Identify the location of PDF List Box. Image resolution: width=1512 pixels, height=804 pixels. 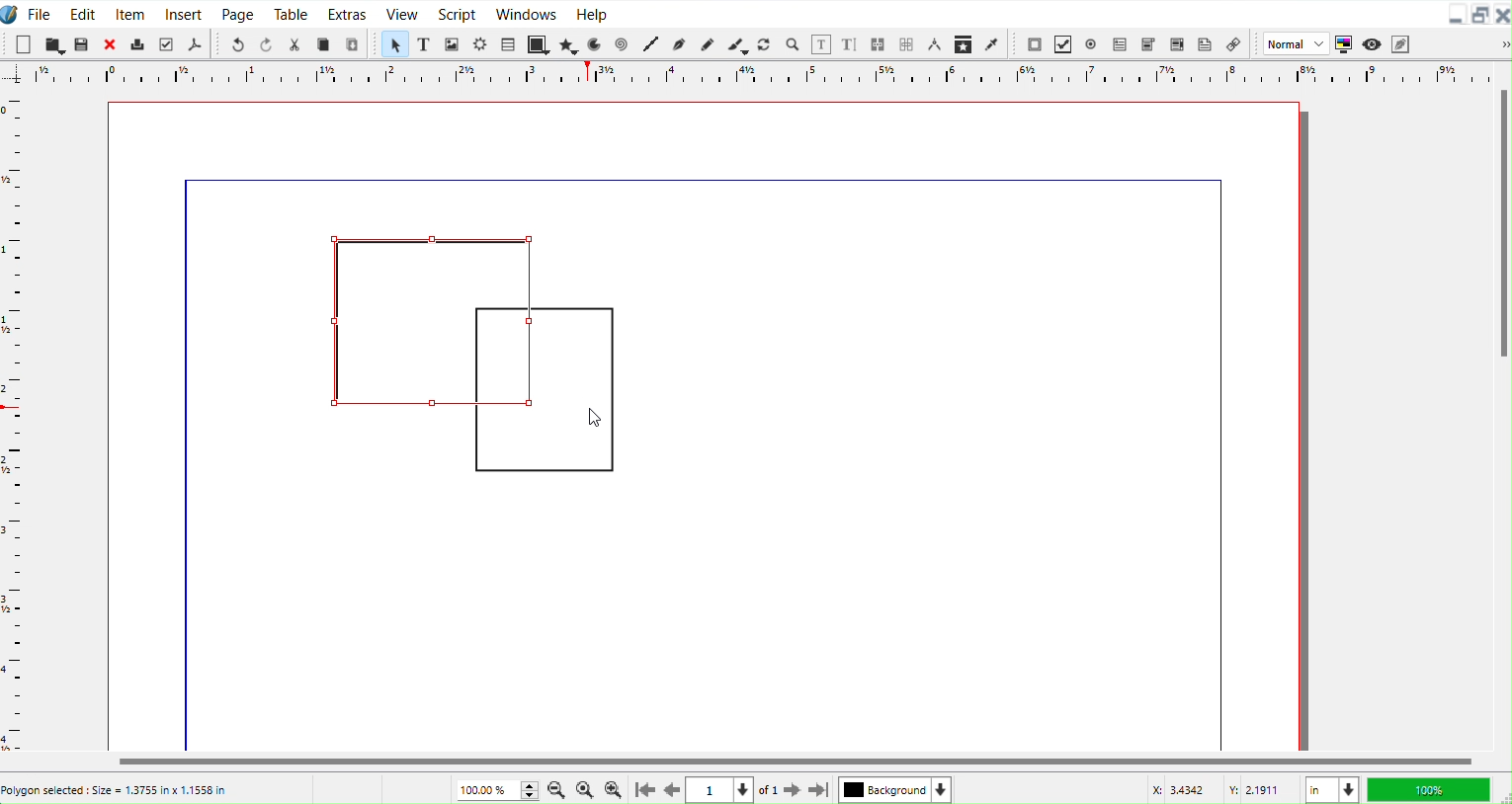
(1176, 42).